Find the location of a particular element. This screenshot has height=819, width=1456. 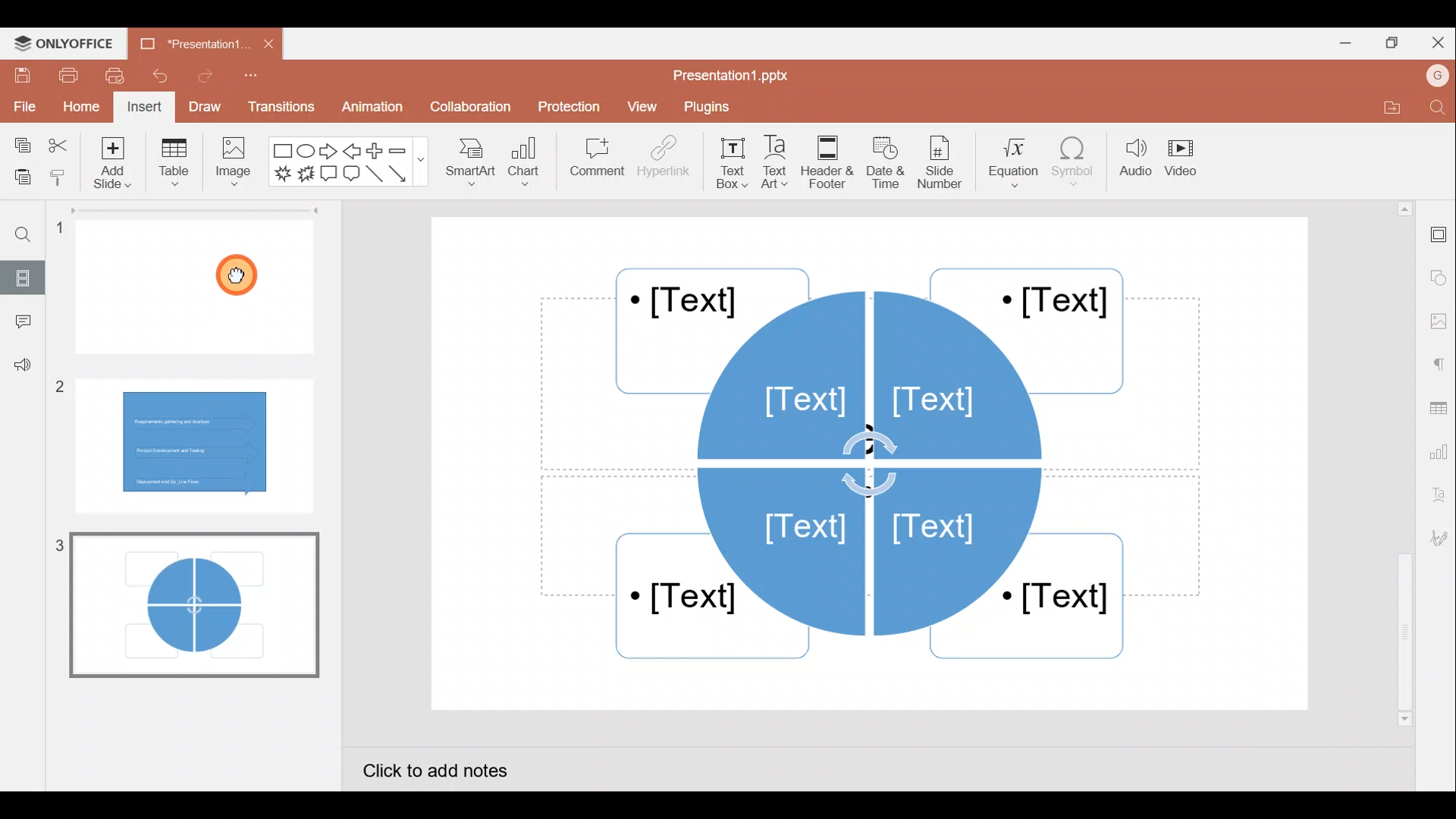

Chart is located at coordinates (528, 166).